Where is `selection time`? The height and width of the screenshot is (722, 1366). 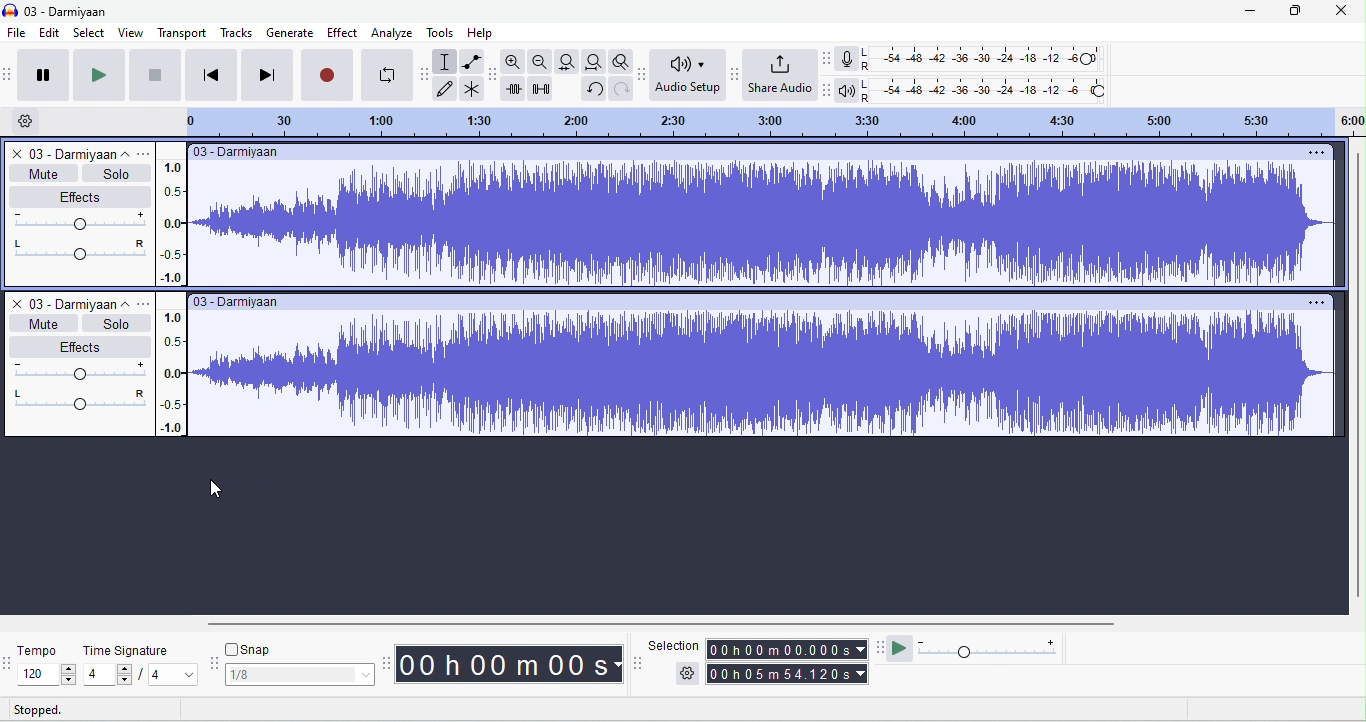 selection time is located at coordinates (788, 647).